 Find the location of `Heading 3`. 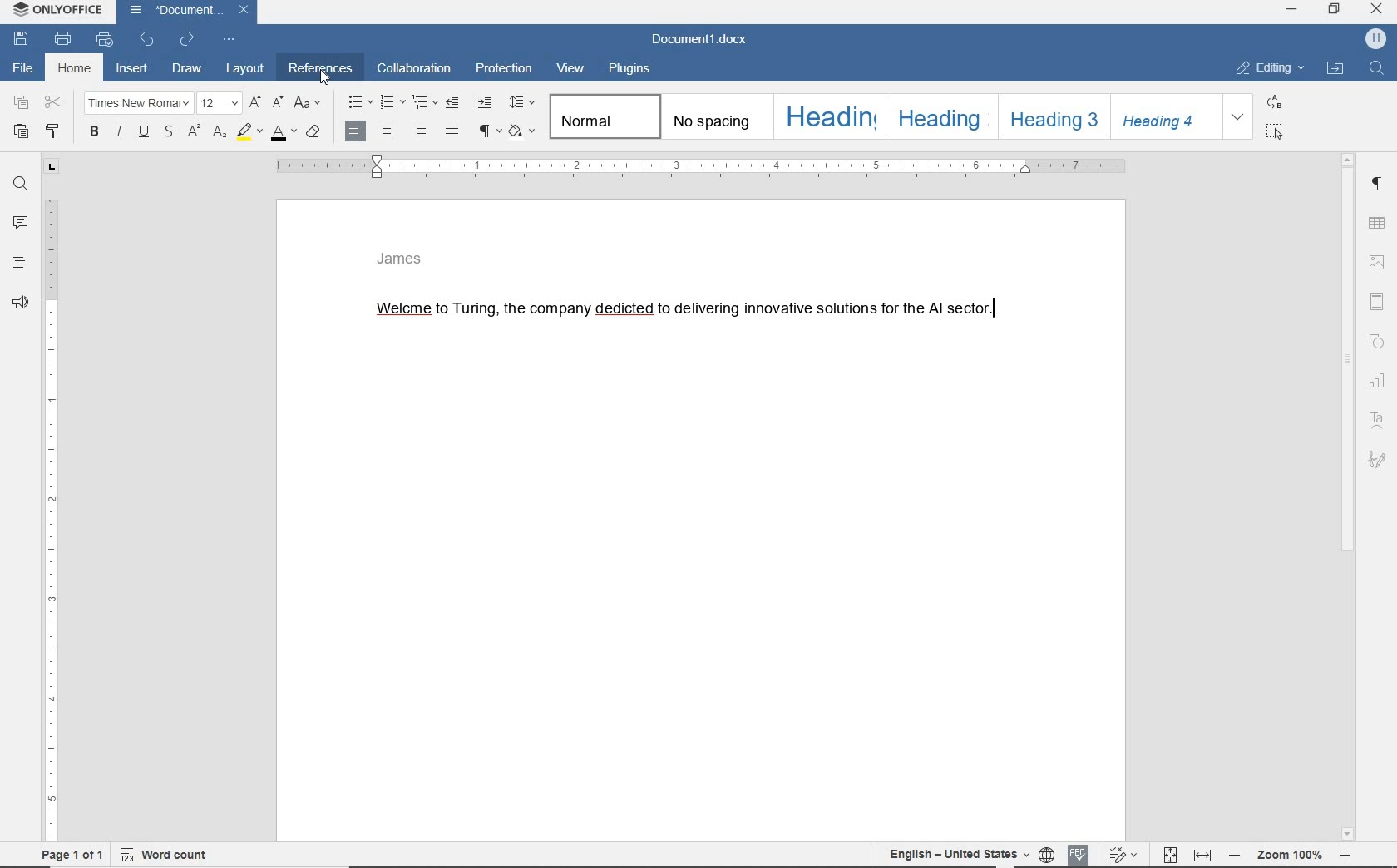

Heading 3 is located at coordinates (1052, 116).